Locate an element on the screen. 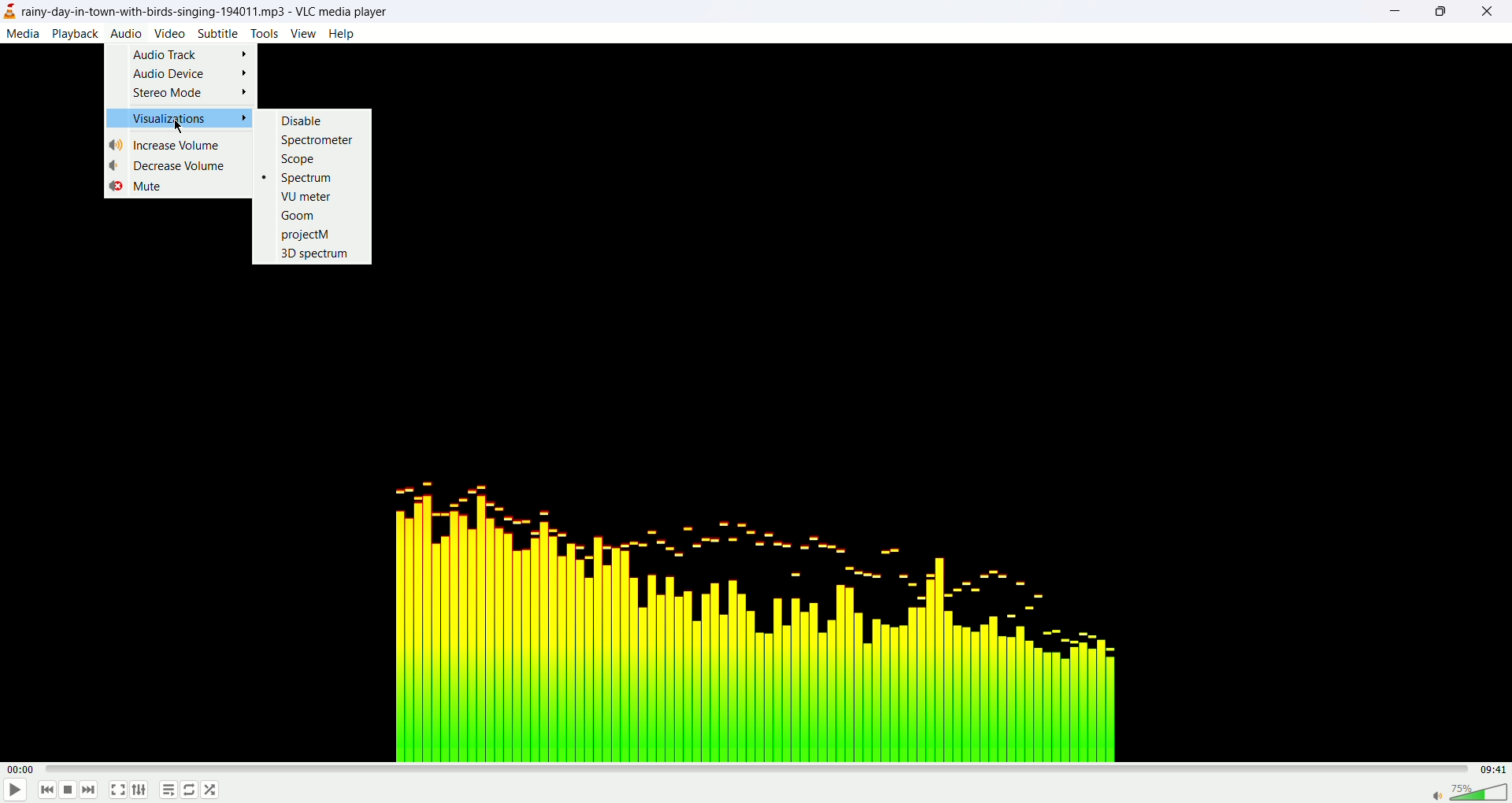 Image resolution: width=1512 pixels, height=803 pixels. help is located at coordinates (342, 34).